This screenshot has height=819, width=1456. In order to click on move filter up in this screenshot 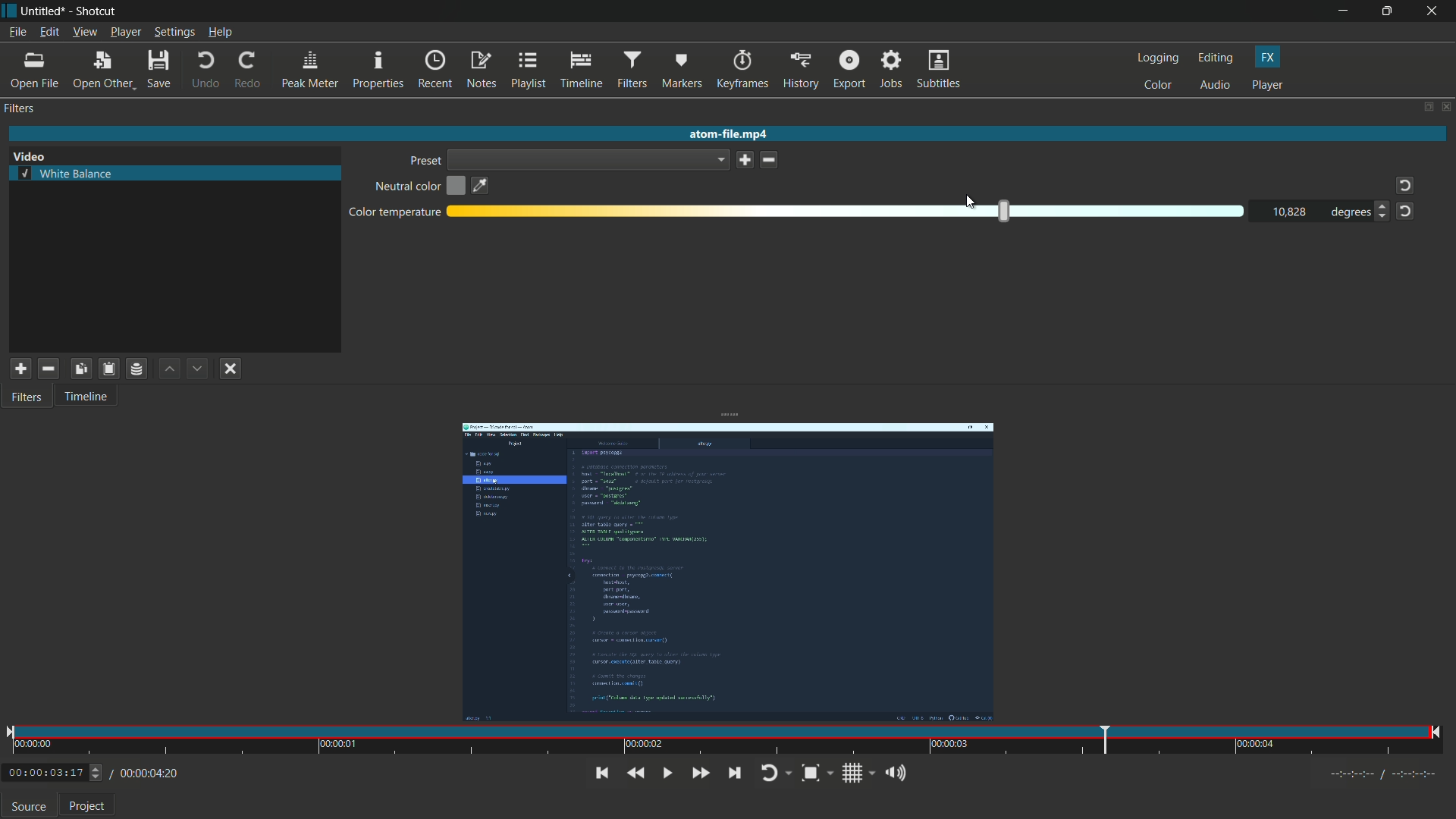, I will do `click(169, 369)`.